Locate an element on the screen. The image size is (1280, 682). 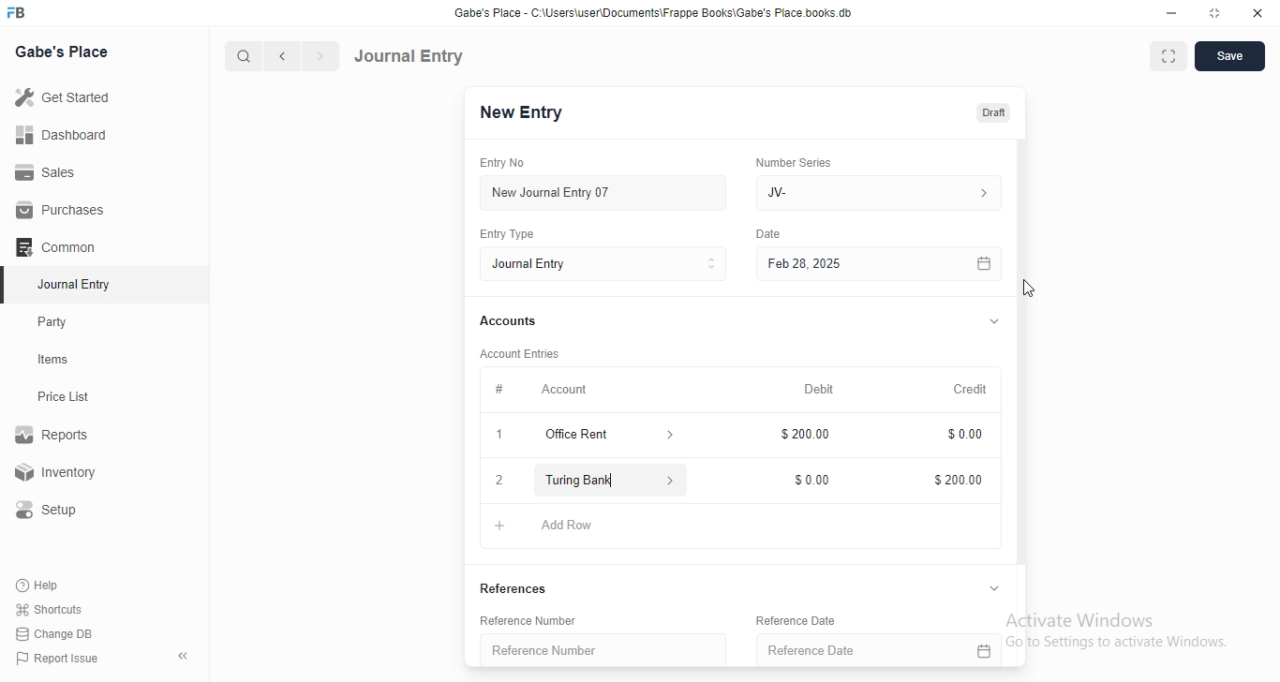
tems is located at coordinates (61, 360).